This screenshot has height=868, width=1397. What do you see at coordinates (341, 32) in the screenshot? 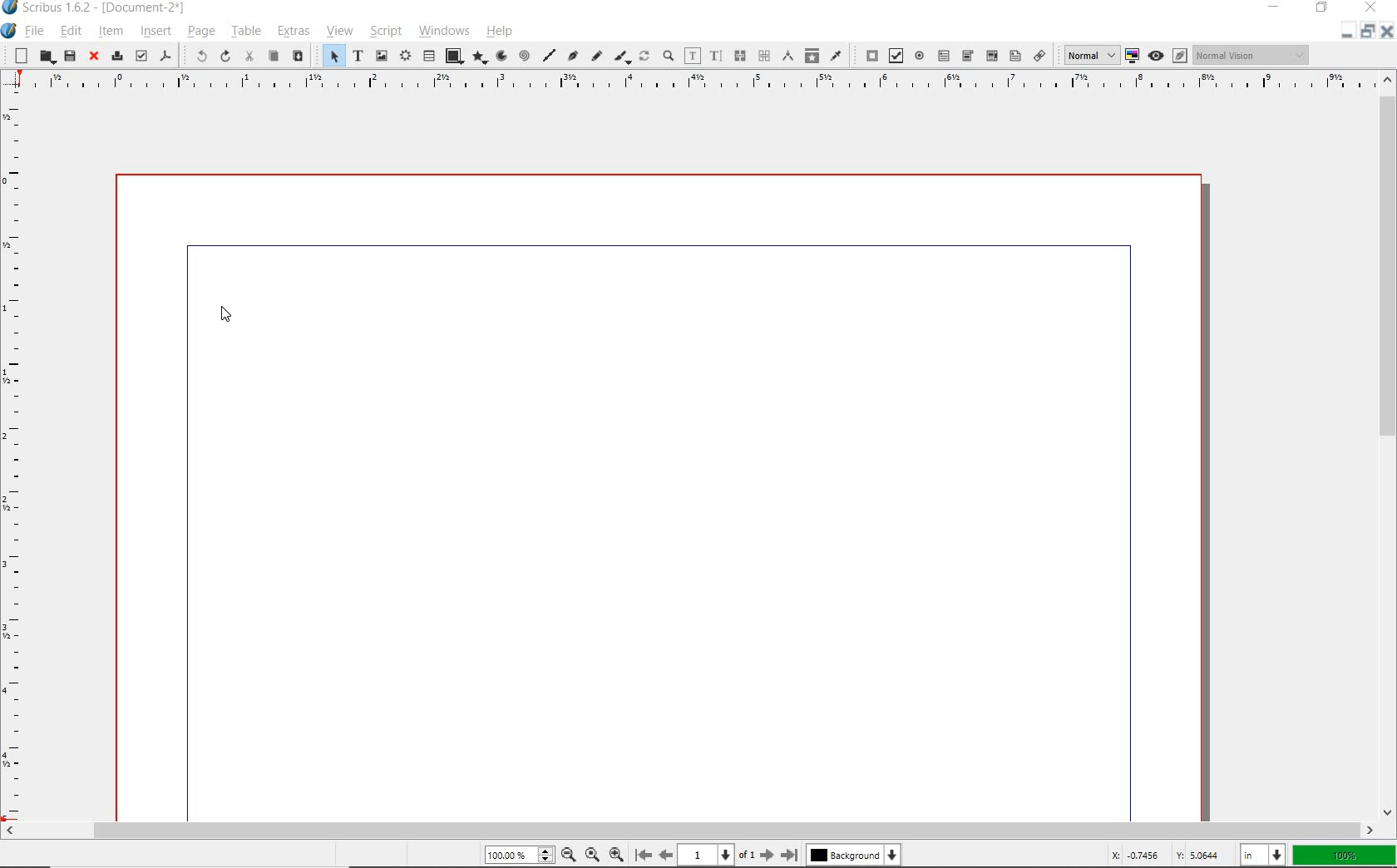
I see `view` at bounding box center [341, 32].